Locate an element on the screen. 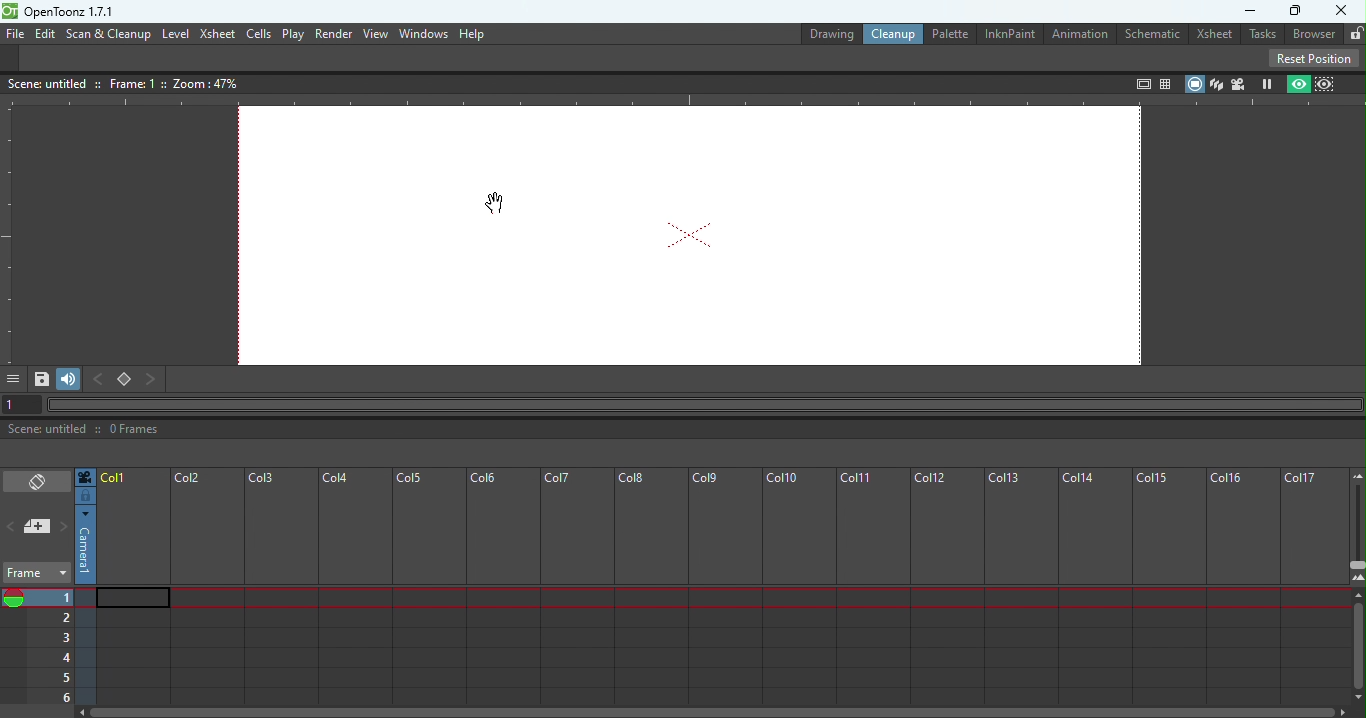 Image resolution: width=1366 pixels, height=718 pixels. Play is located at coordinates (293, 34).